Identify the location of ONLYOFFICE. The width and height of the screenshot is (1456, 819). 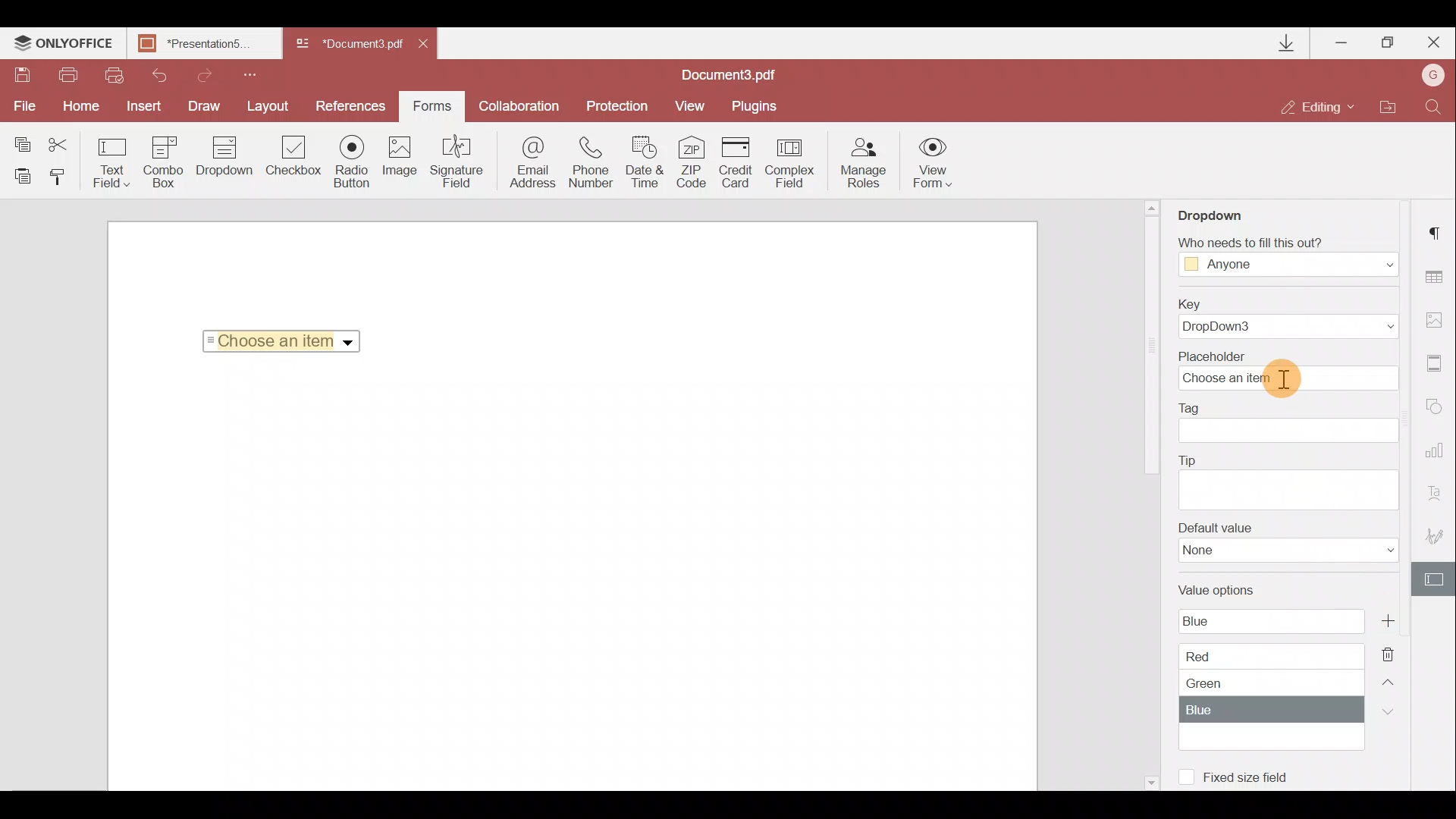
(64, 45).